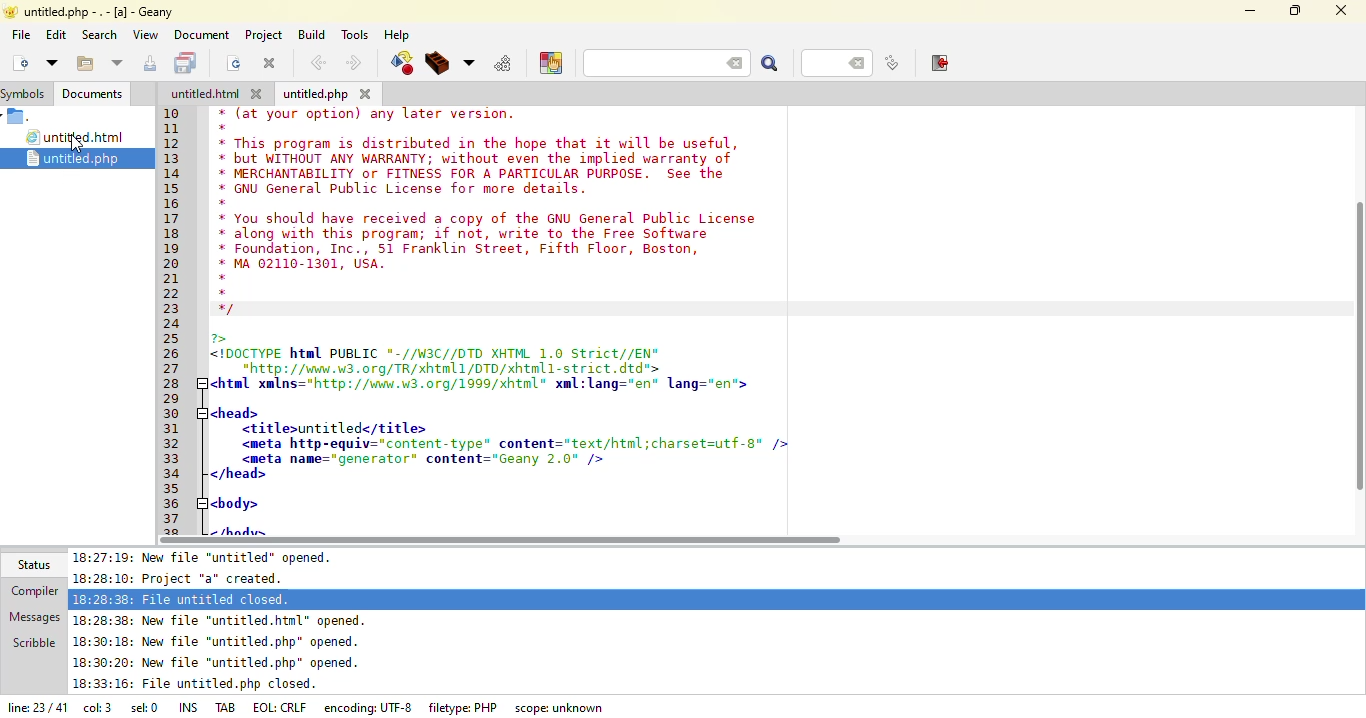 The width and height of the screenshot is (1366, 718). Describe the element at coordinates (77, 138) in the screenshot. I see `untitled` at that location.